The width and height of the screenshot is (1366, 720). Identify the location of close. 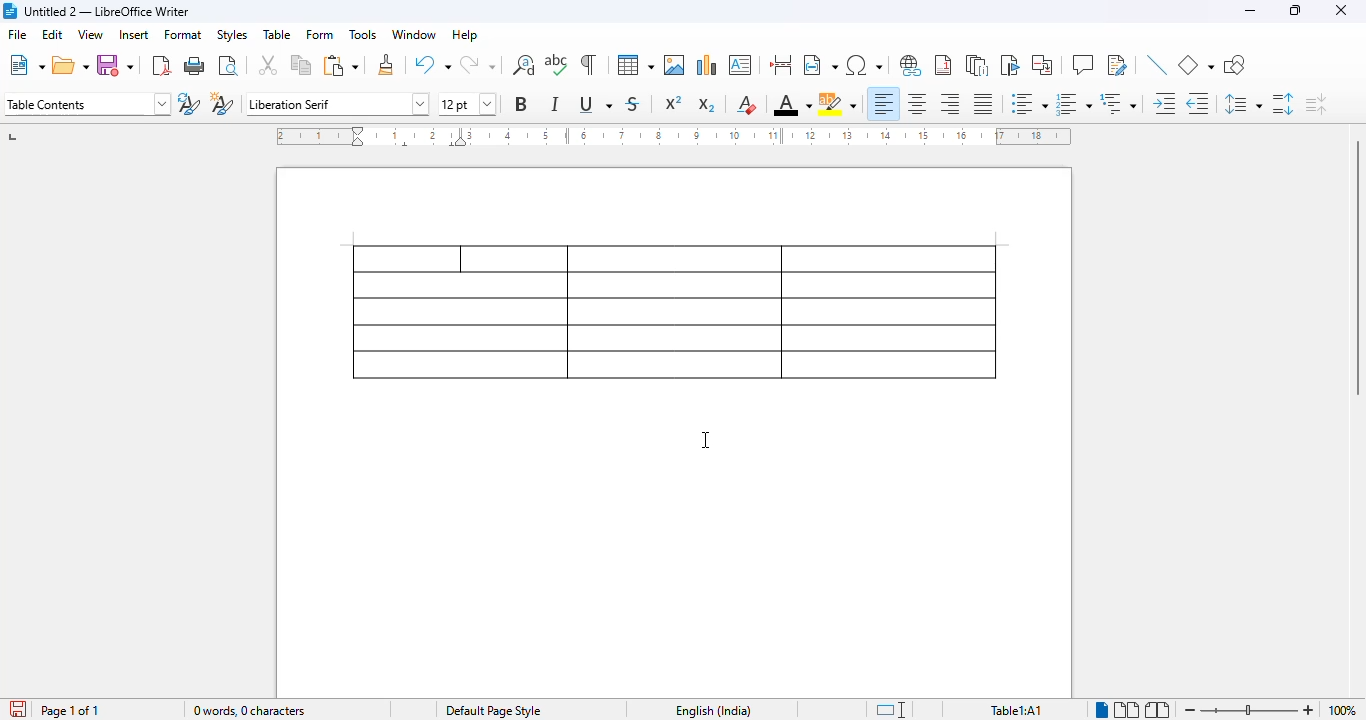
(1342, 11).